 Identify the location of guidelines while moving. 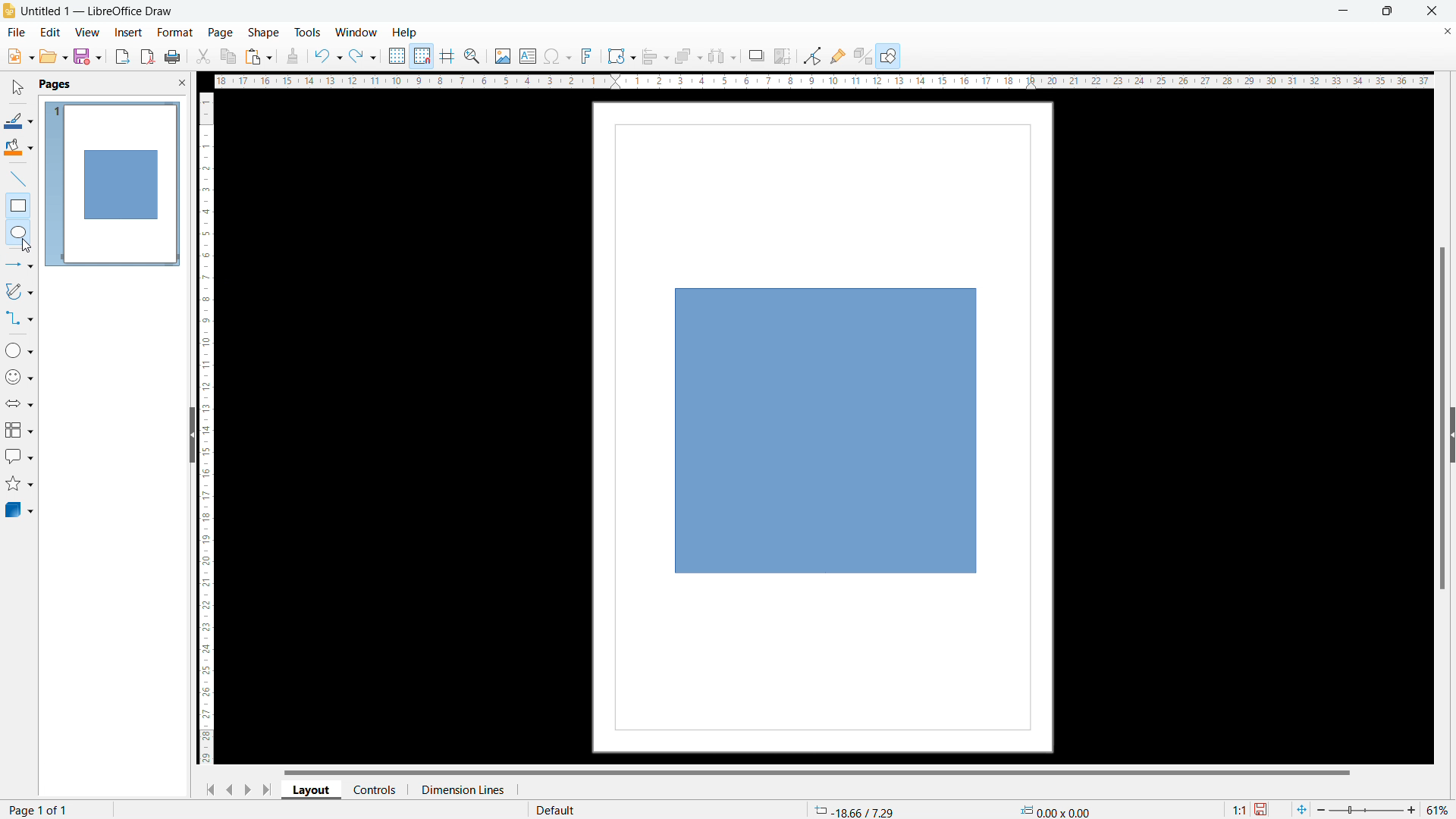
(447, 57).